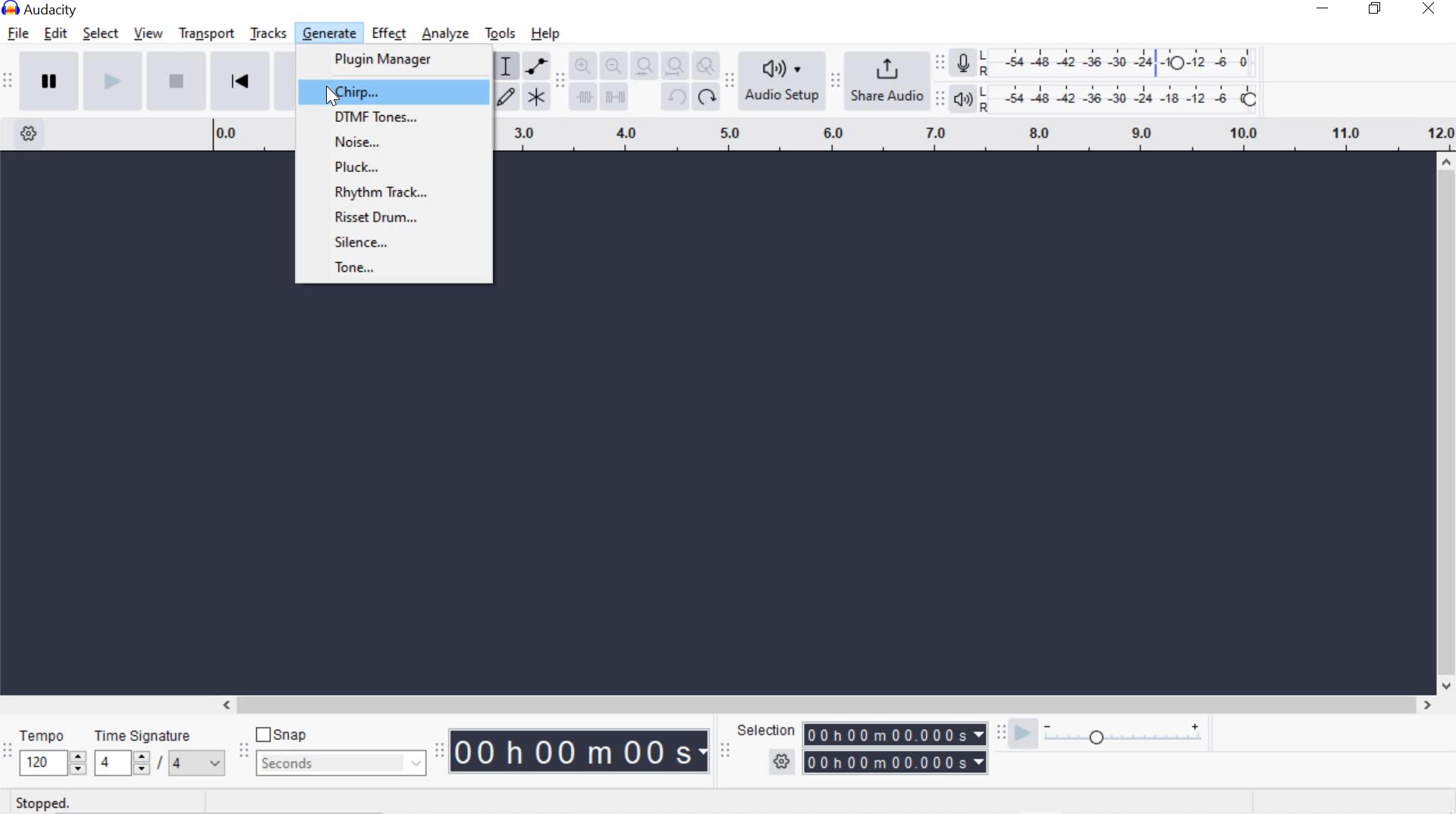 The height and width of the screenshot is (814, 1456). I want to click on Play-at-speed toolbar, so click(1005, 734).